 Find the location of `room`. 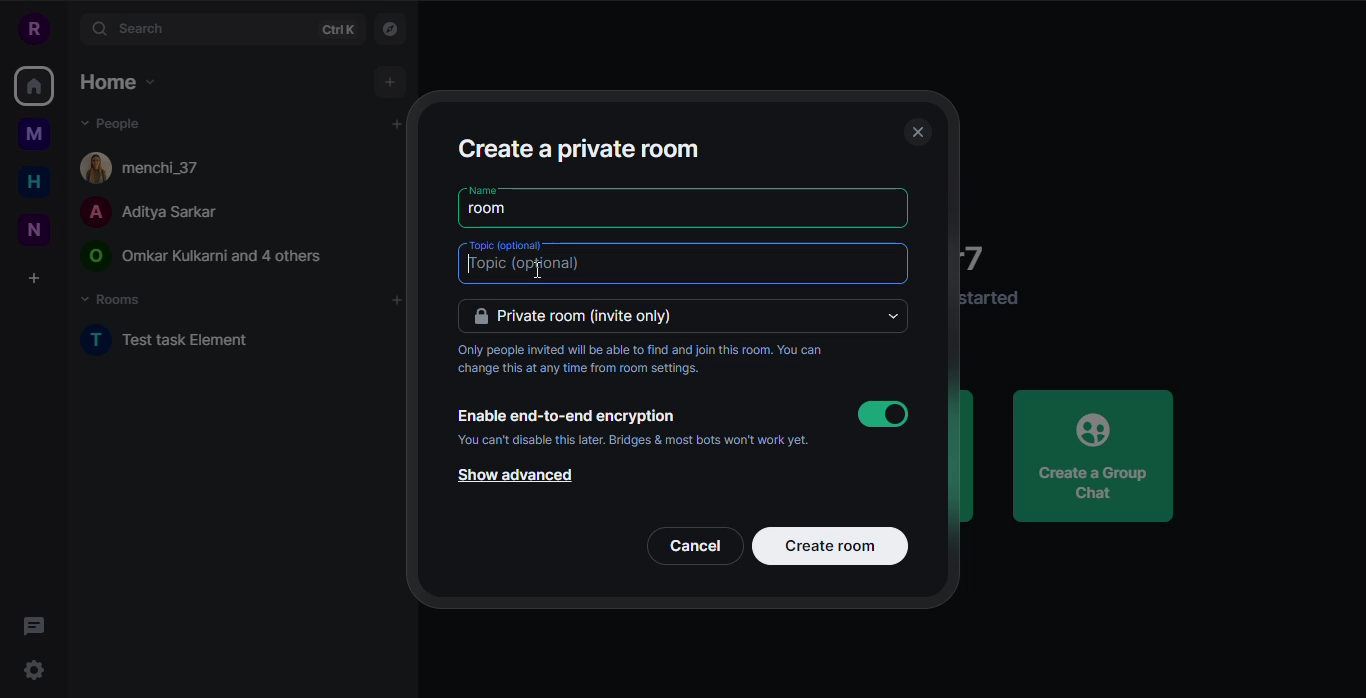

room is located at coordinates (494, 210).